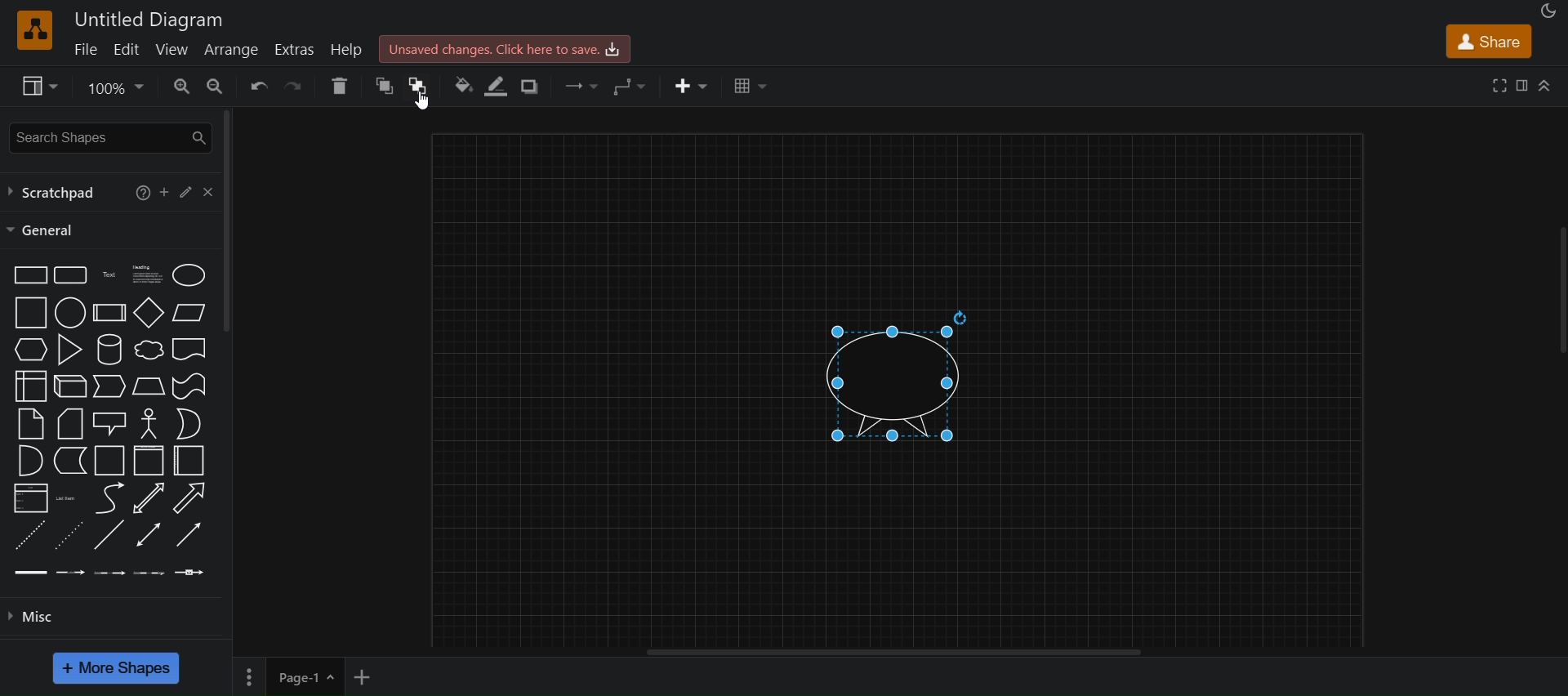  I want to click on arrow, so click(189, 498).